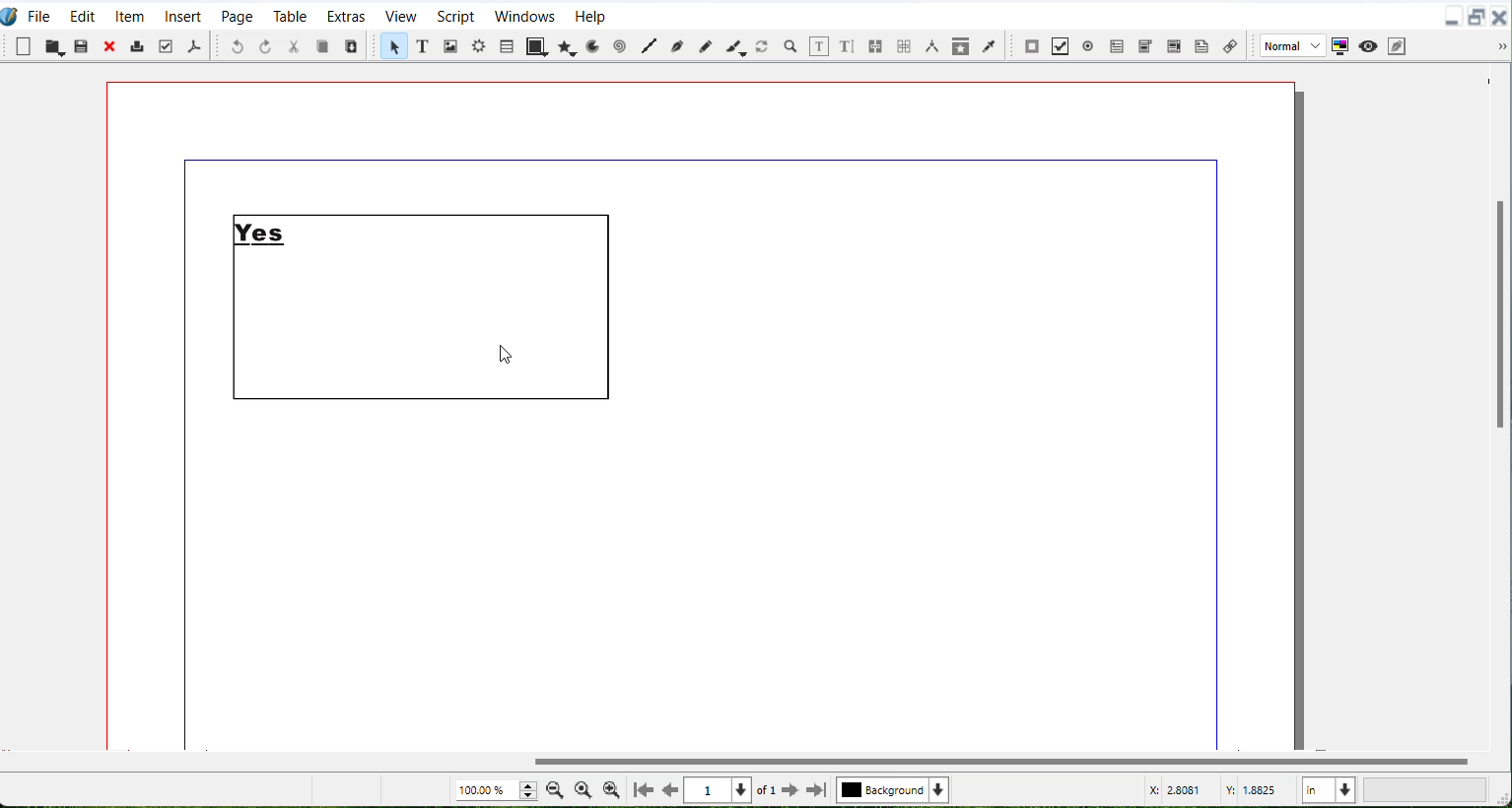 This screenshot has height=808, width=1512. I want to click on Vertical scroll bar, so click(1496, 406).